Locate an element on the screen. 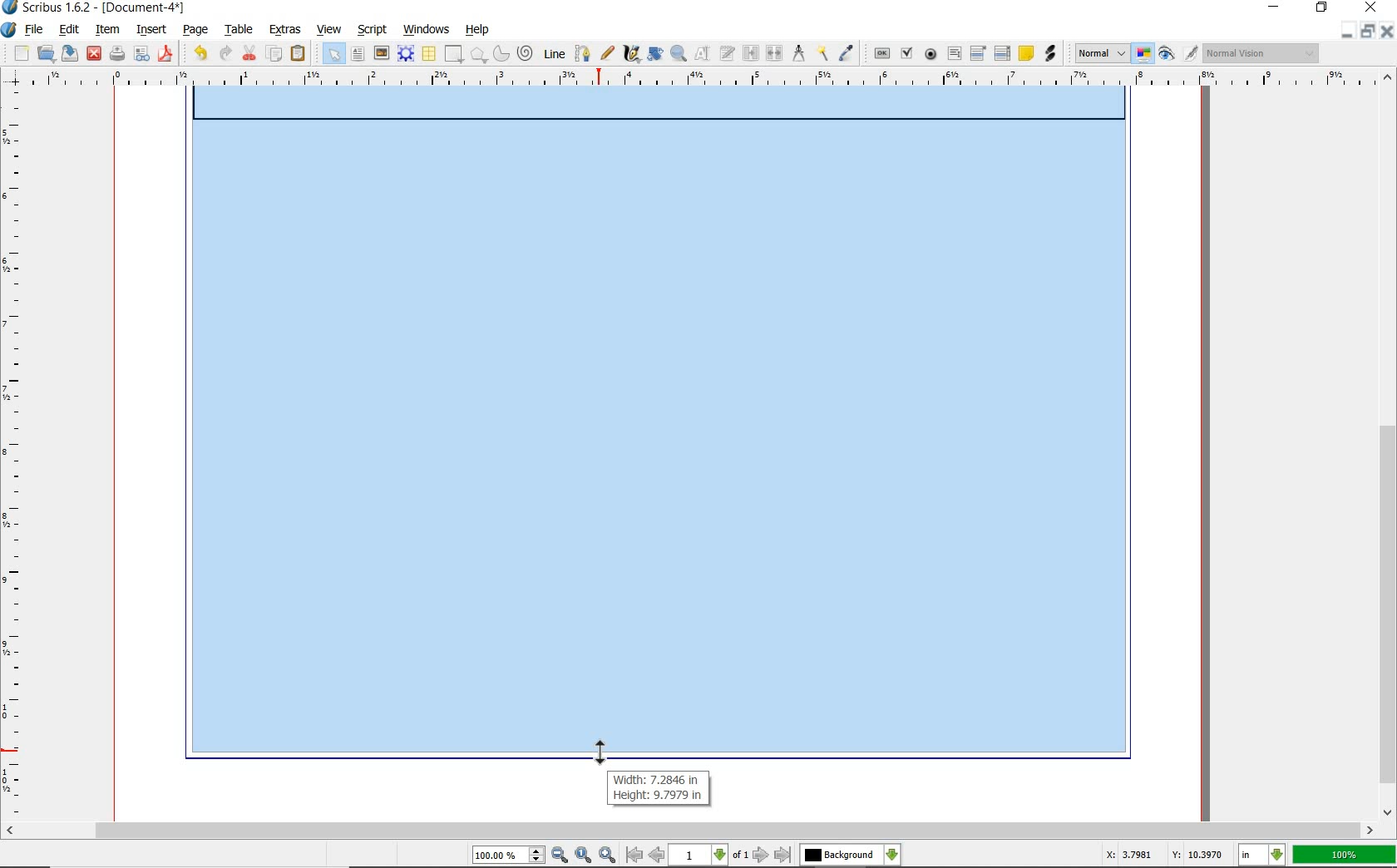 The image size is (1397, 868). arc is located at coordinates (501, 52).